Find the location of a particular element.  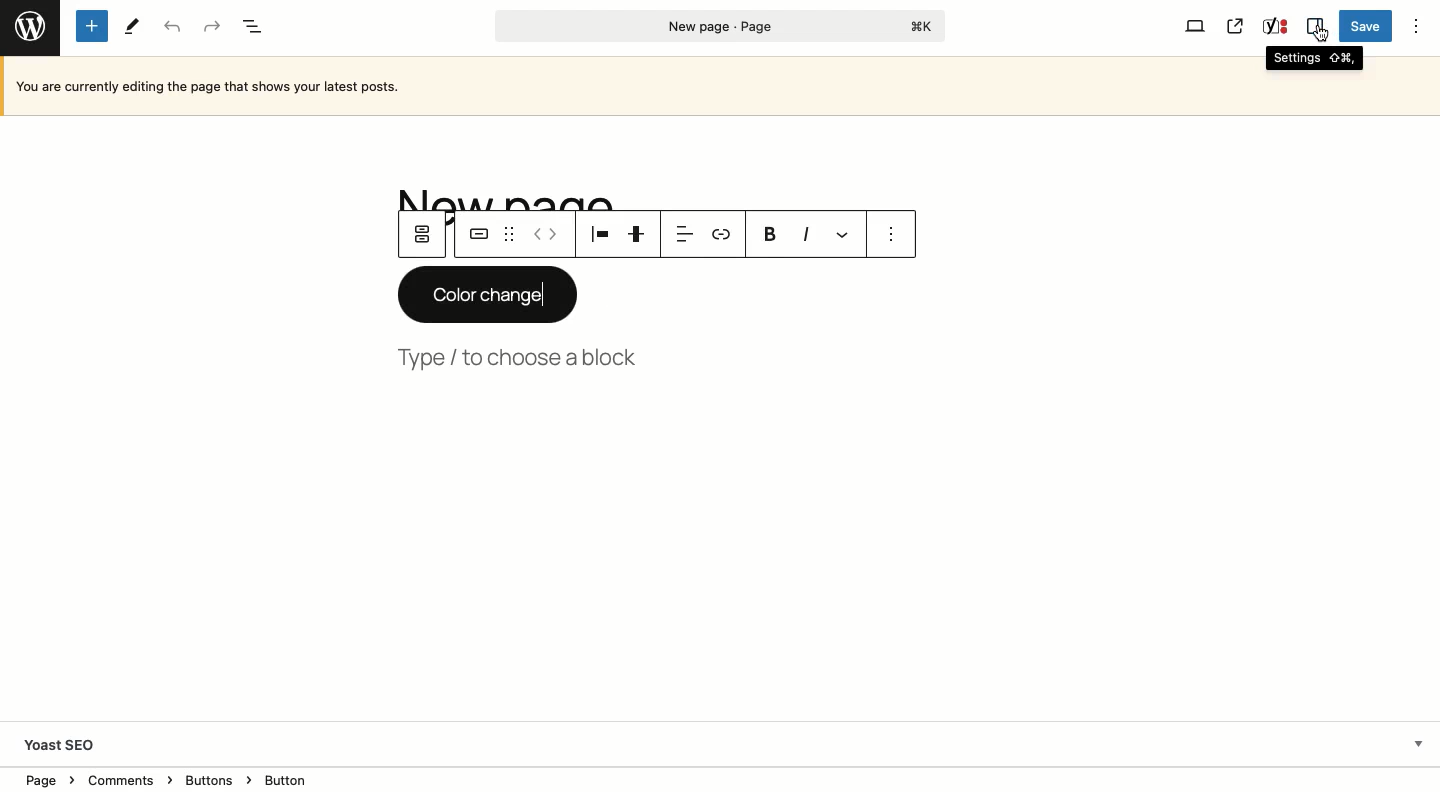

Undo is located at coordinates (172, 28).